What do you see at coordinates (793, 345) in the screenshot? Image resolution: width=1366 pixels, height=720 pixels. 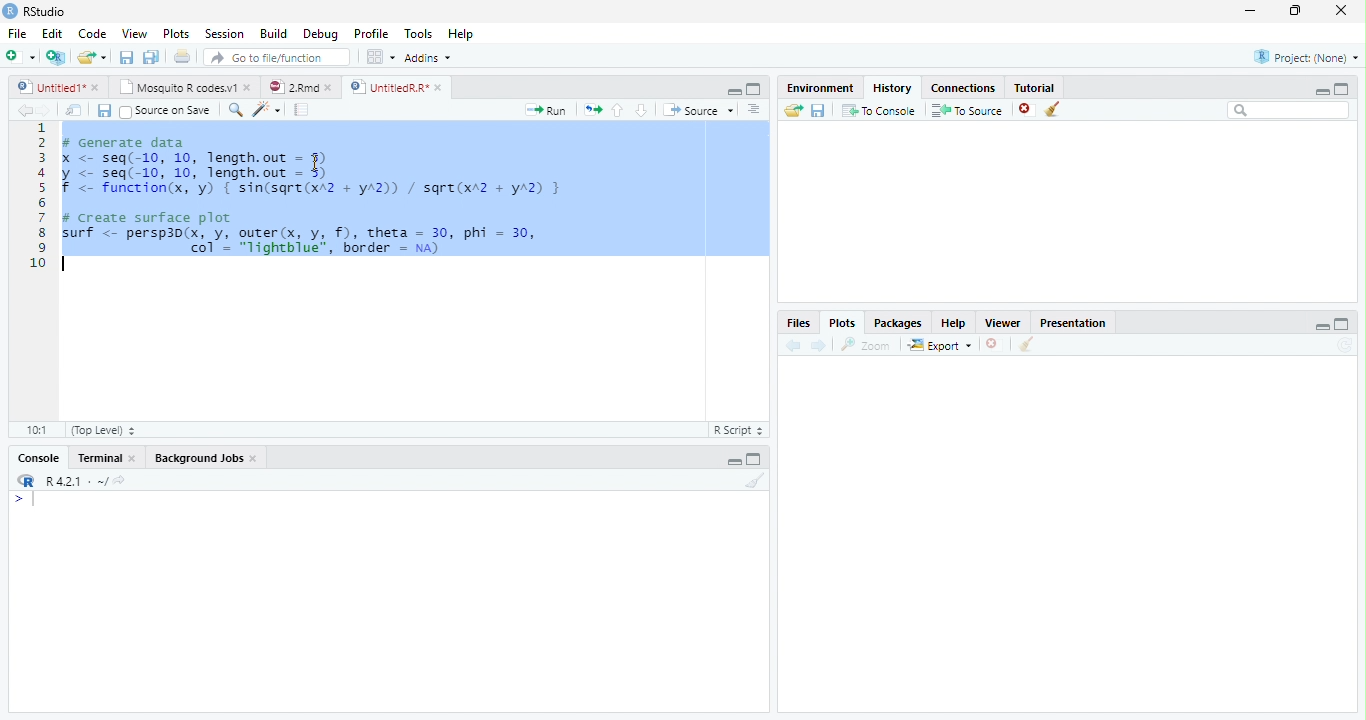 I see `Previous plot` at bounding box center [793, 345].